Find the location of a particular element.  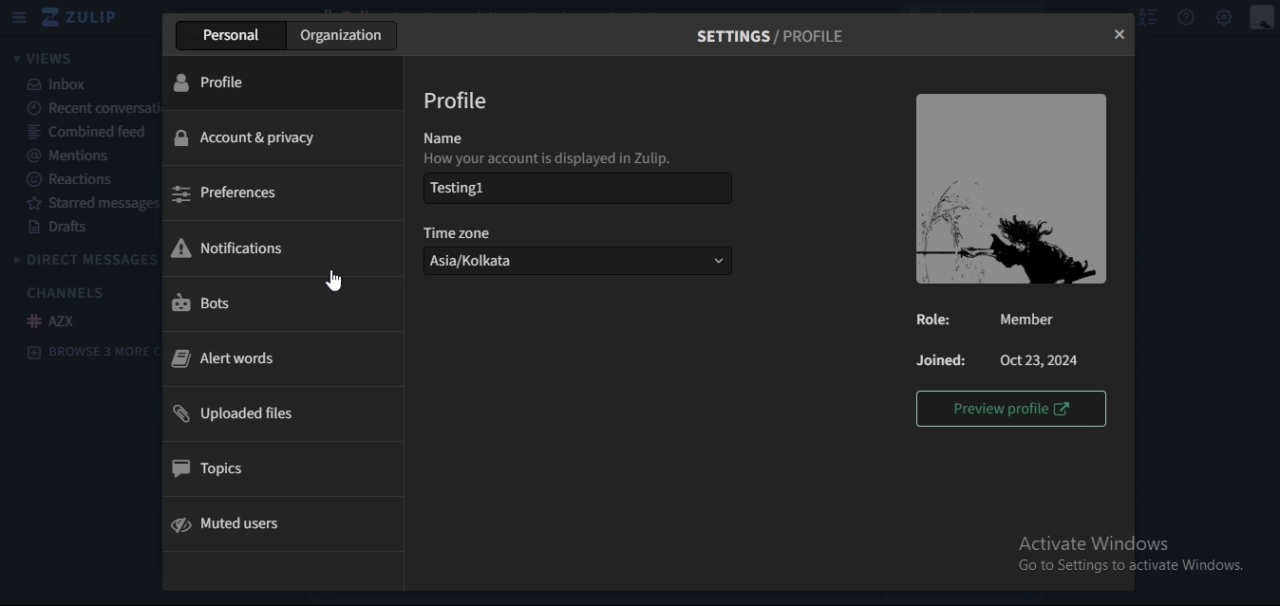

Role is located at coordinates (933, 315).